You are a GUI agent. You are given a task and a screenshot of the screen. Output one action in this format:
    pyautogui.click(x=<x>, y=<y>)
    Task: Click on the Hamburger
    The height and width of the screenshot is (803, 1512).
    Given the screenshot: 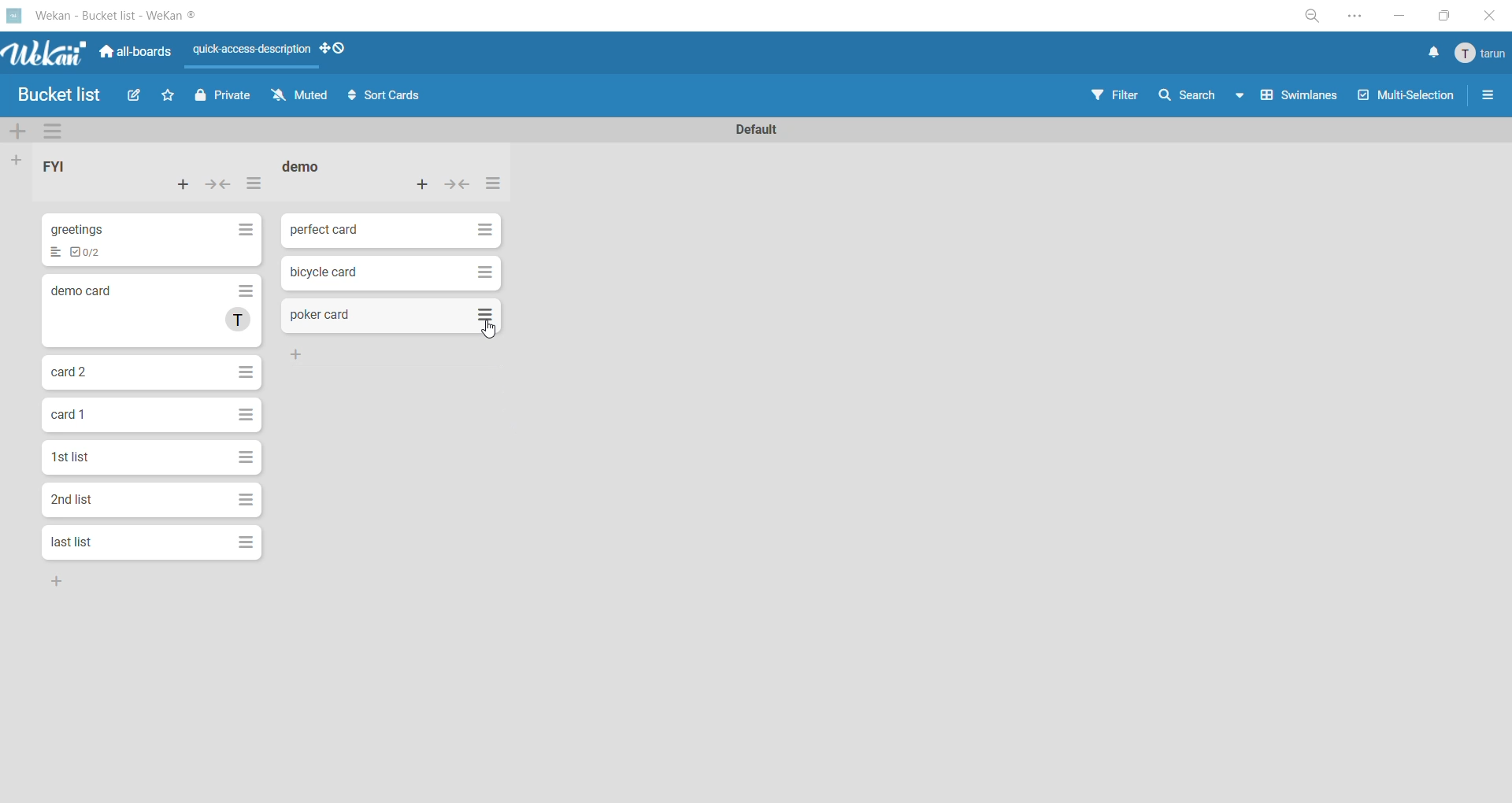 What is the action you would take?
    pyautogui.click(x=245, y=230)
    